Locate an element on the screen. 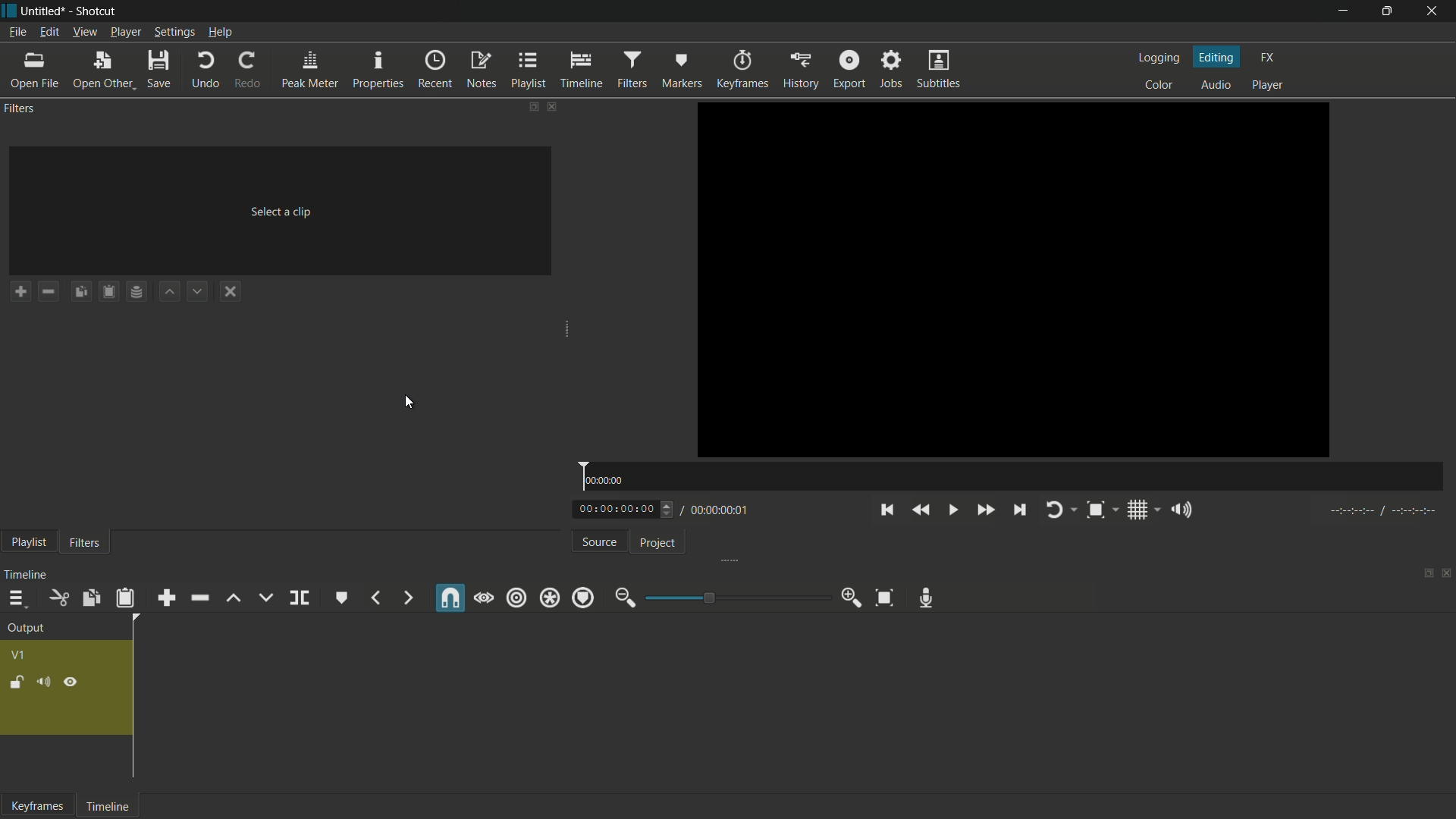 The height and width of the screenshot is (819, 1456). filters is located at coordinates (85, 544).